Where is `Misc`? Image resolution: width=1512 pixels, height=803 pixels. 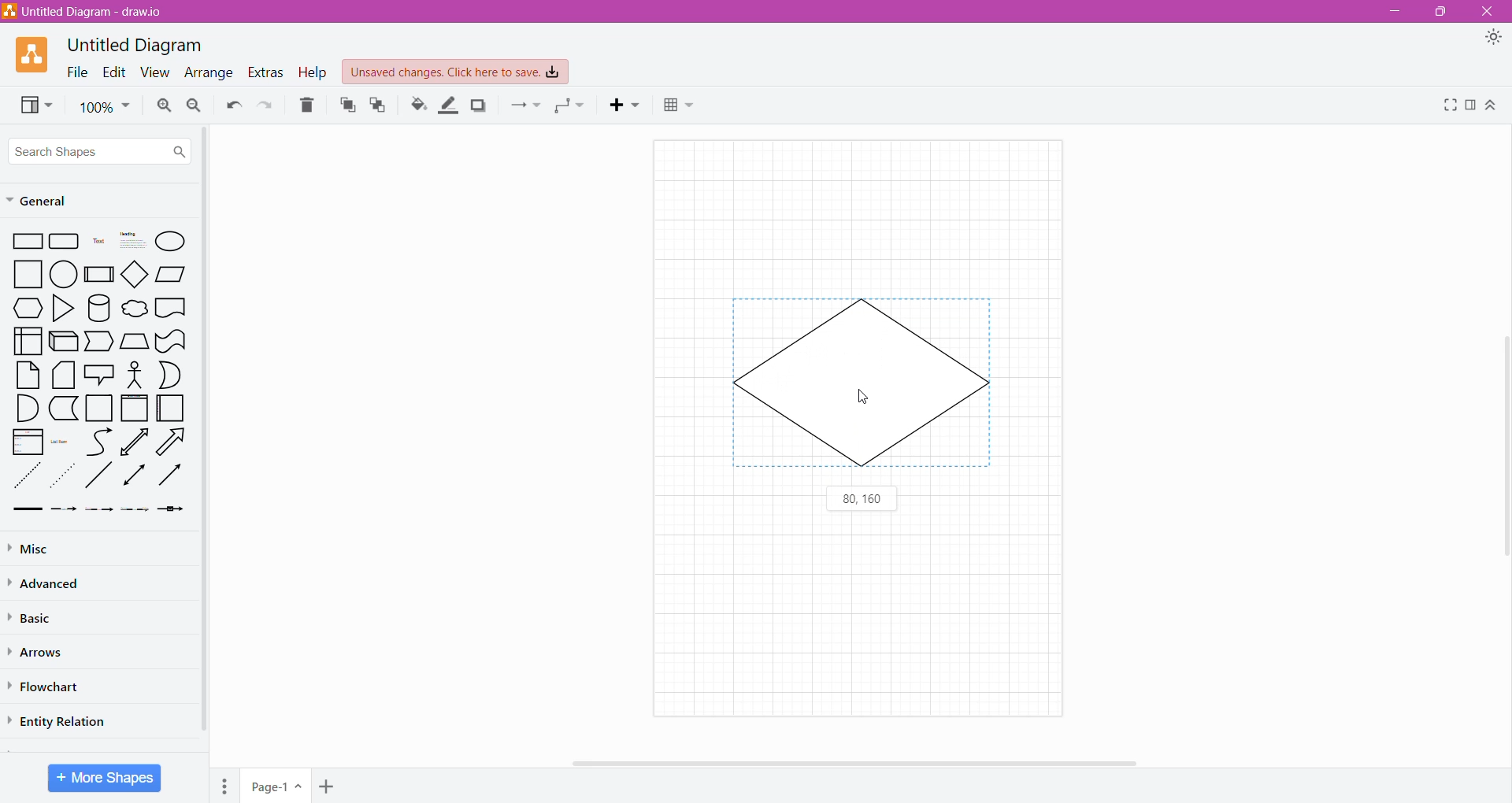
Misc is located at coordinates (31, 549).